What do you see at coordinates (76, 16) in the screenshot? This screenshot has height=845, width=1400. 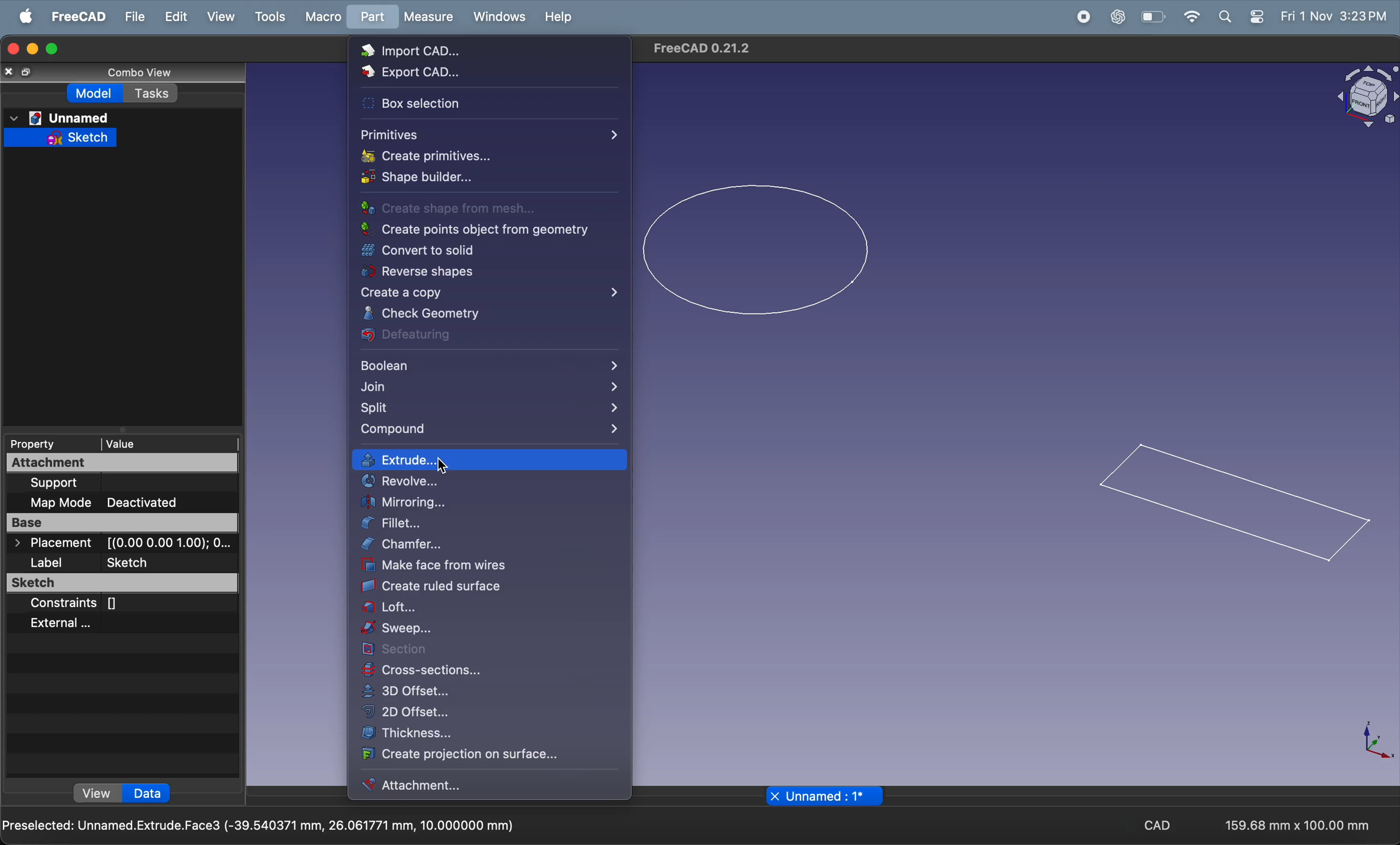 I see `Freecad` at bounding box center [76, 16].